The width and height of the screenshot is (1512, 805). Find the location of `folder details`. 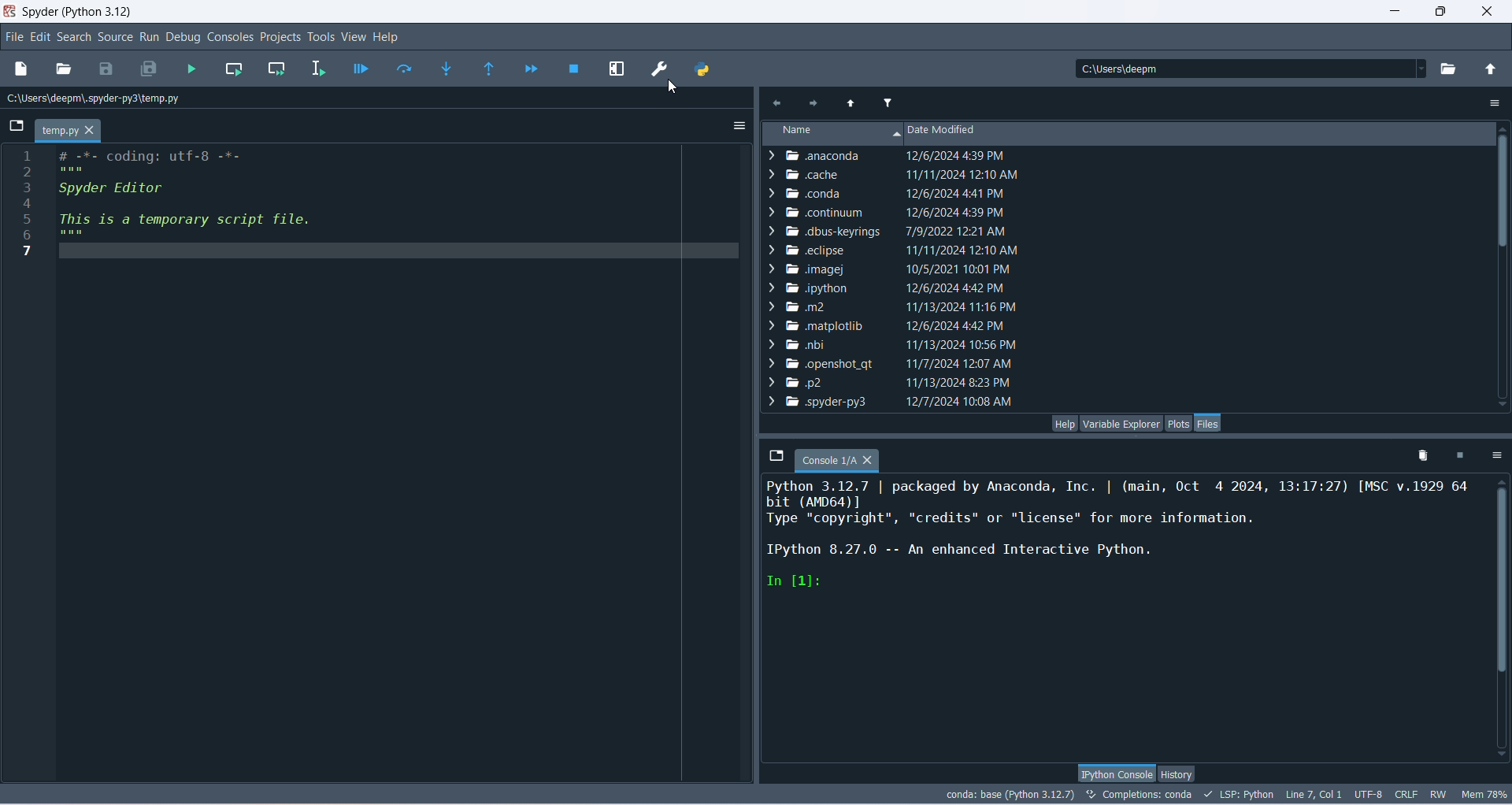

folder details is located at coordinates (892, 268).